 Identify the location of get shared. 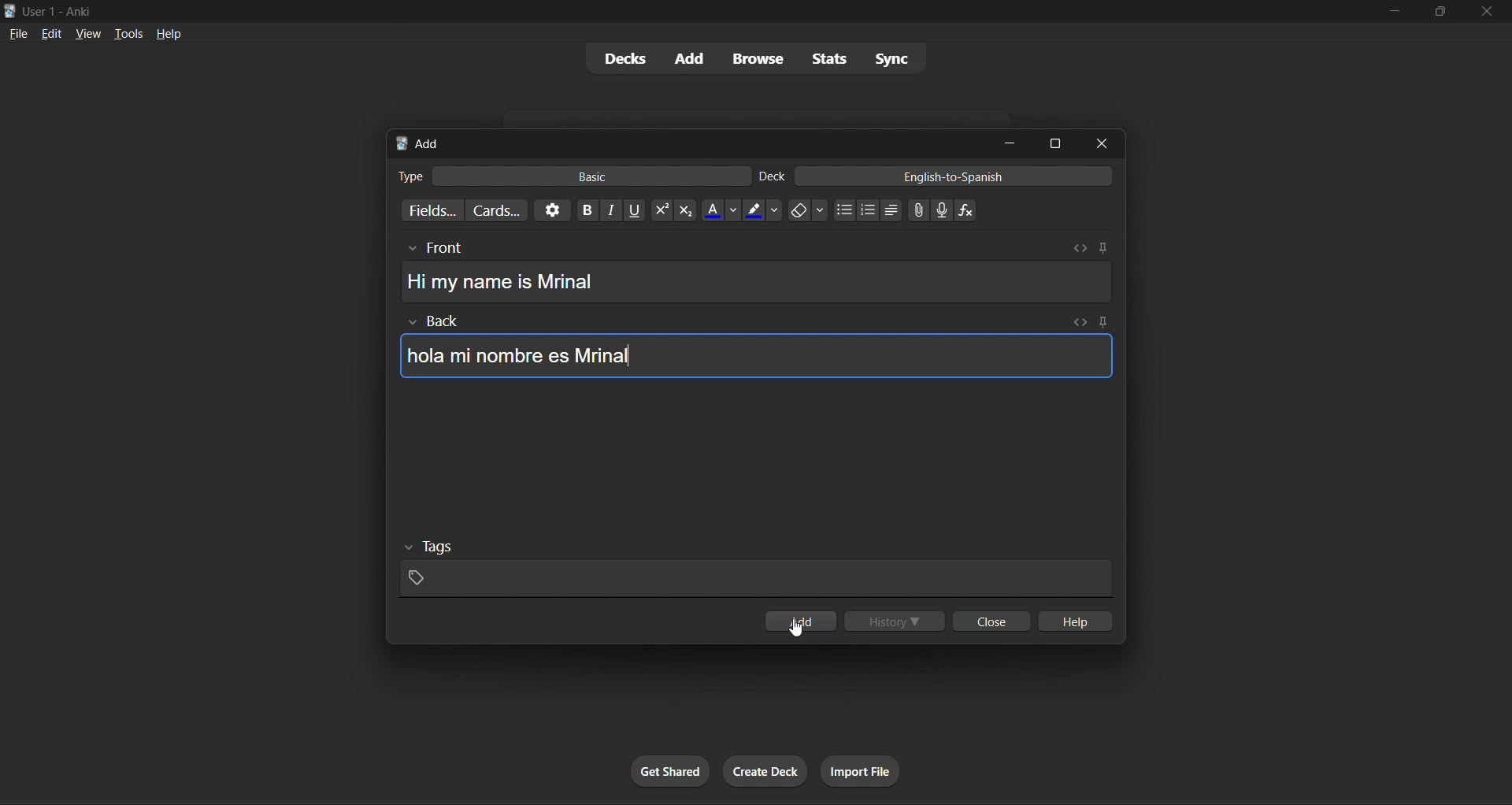
(669, 770).